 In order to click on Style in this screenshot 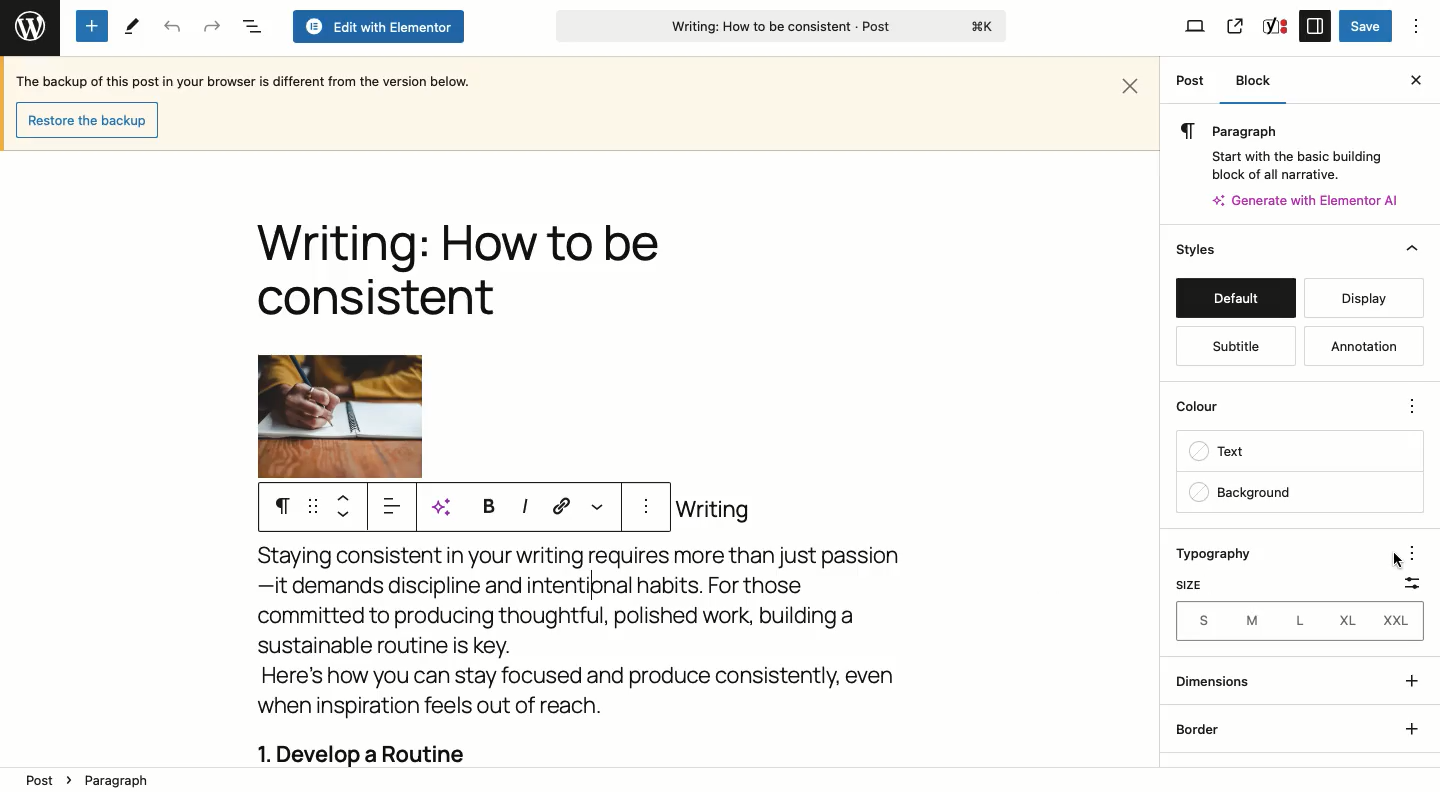, I will do `click(1198, 249)`.